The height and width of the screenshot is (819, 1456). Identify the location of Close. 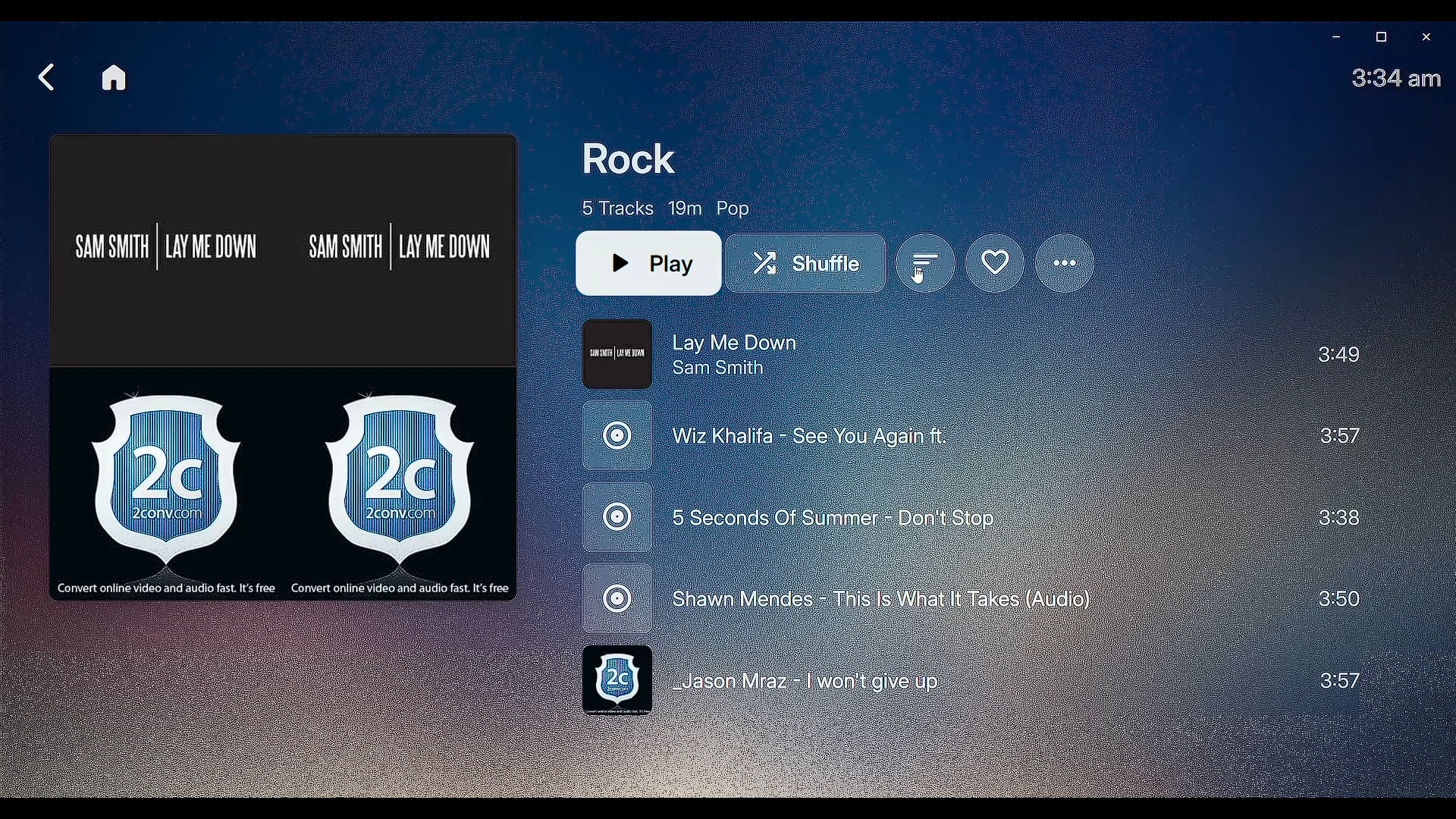
(1426, 38).